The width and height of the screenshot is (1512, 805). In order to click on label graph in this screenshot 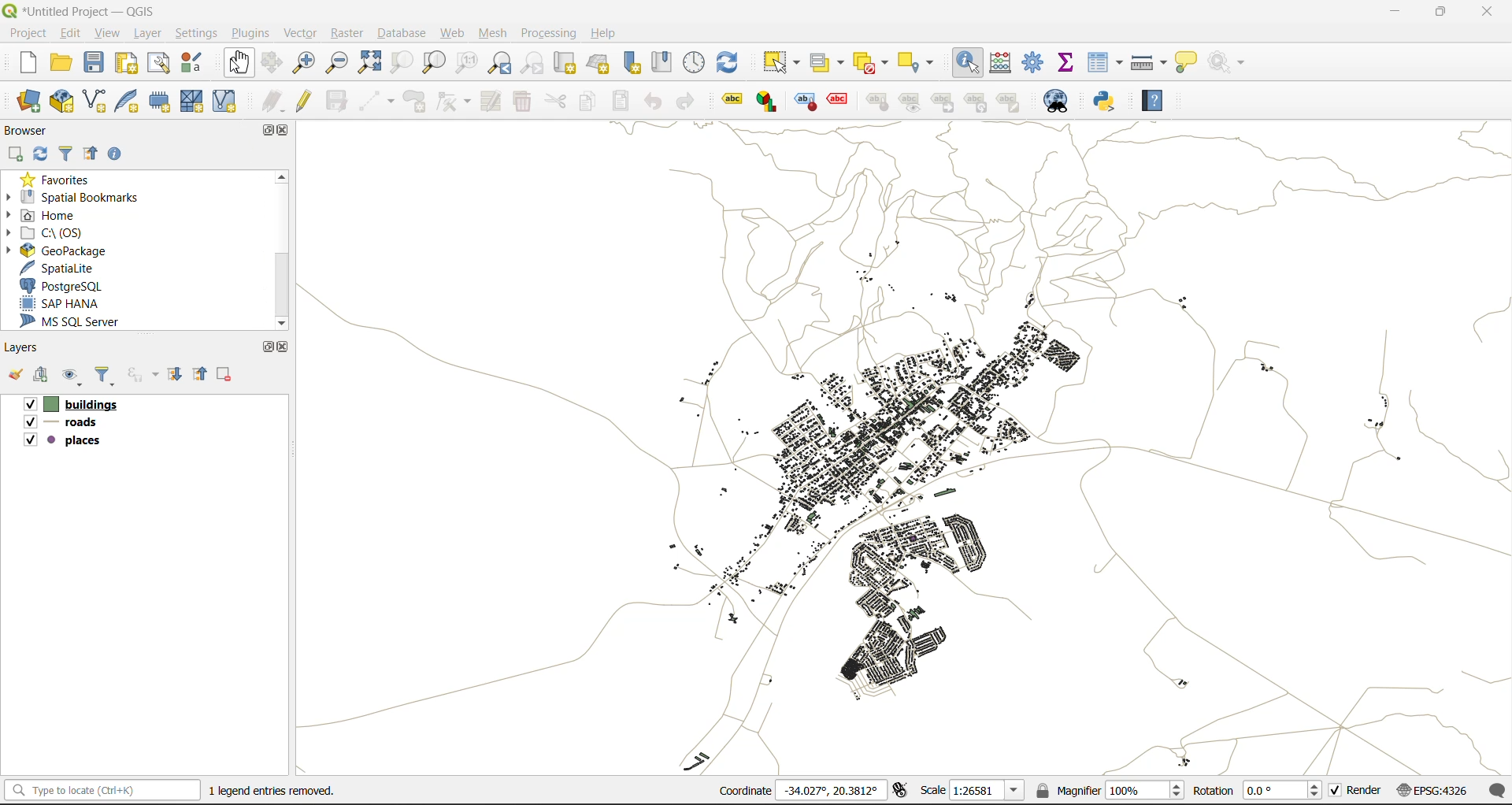, I will do `click(766, 102)`.